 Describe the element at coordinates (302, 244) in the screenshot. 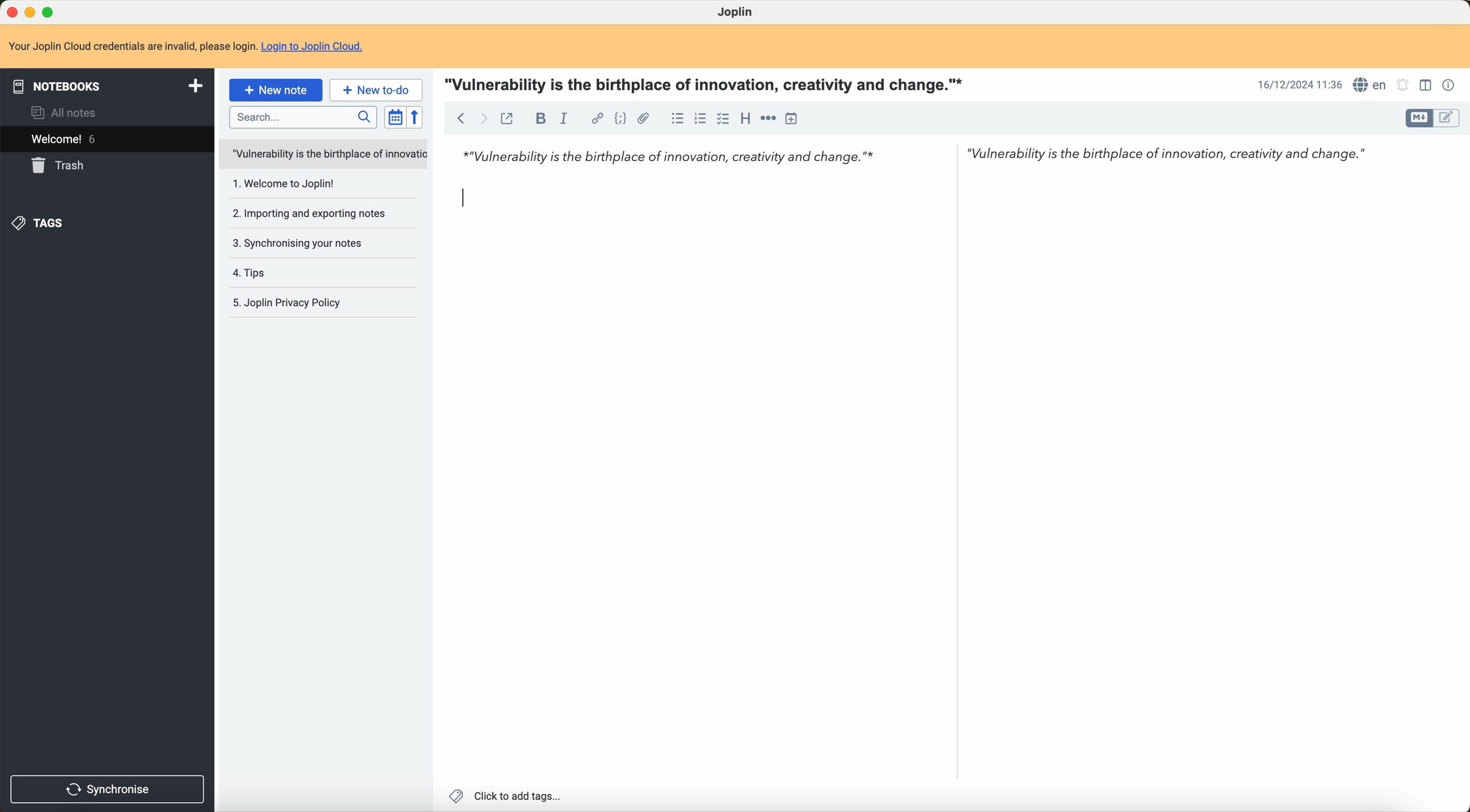

I see `3. Synchronising your notes` at that location.